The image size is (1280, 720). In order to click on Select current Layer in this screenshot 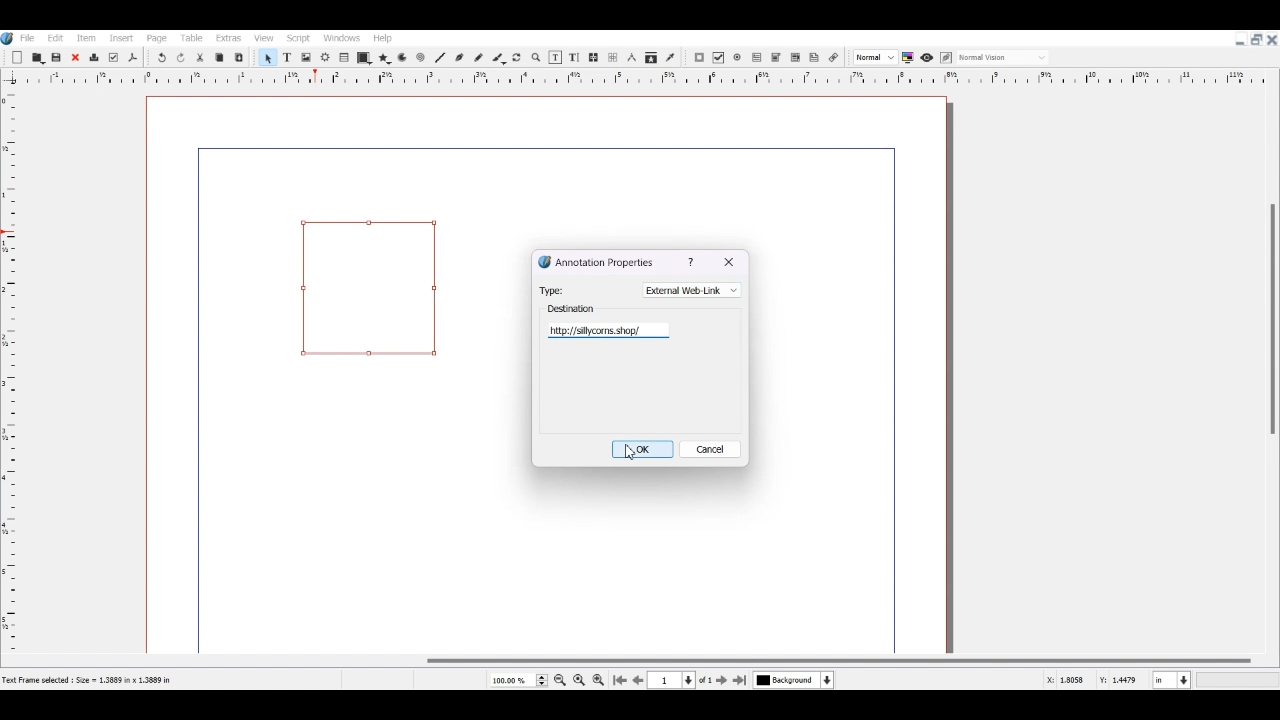, I will do `click(796, 681)`.